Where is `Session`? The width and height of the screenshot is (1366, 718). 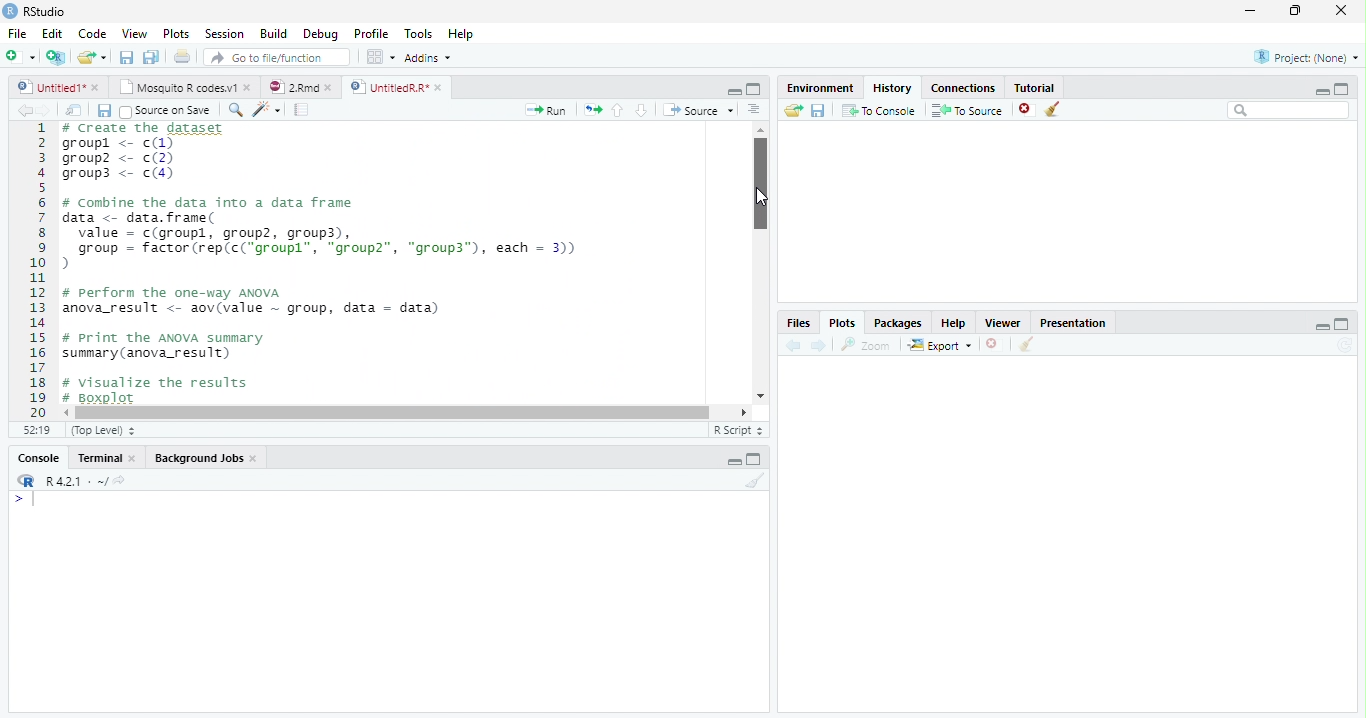
Session is located at coordinates (225, 34).